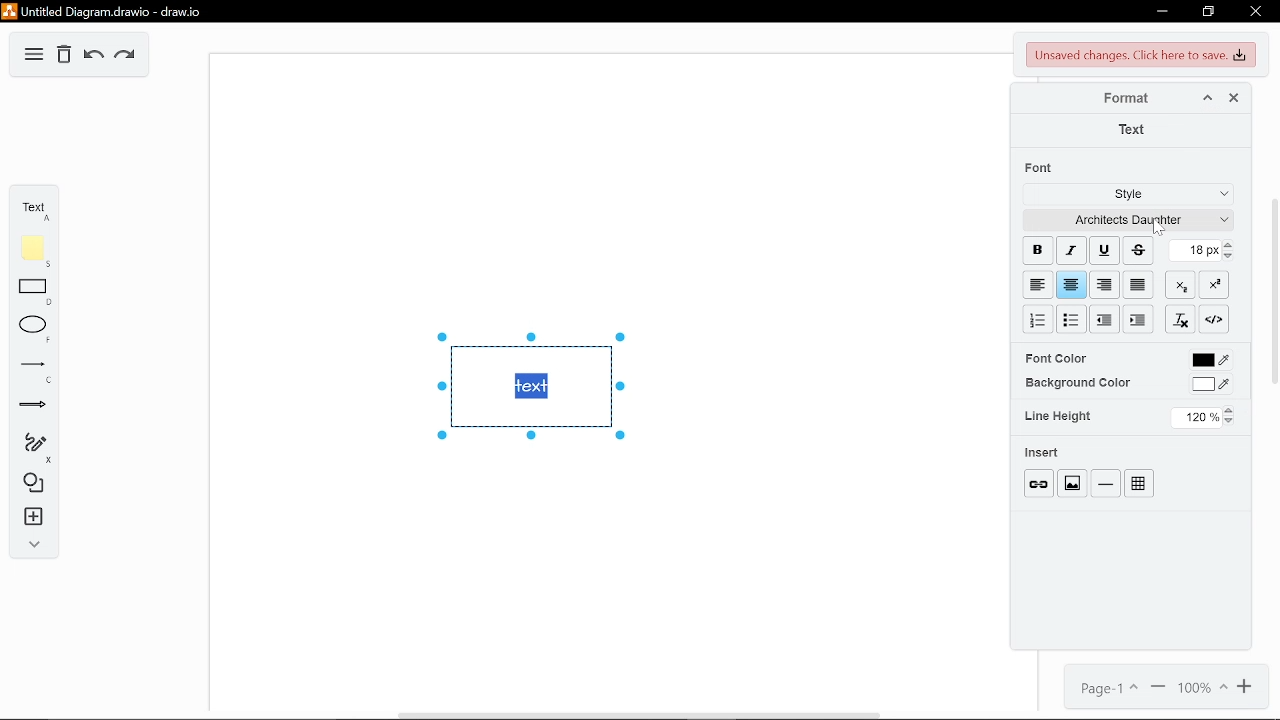  I want to click on undo, so click(92, 56).